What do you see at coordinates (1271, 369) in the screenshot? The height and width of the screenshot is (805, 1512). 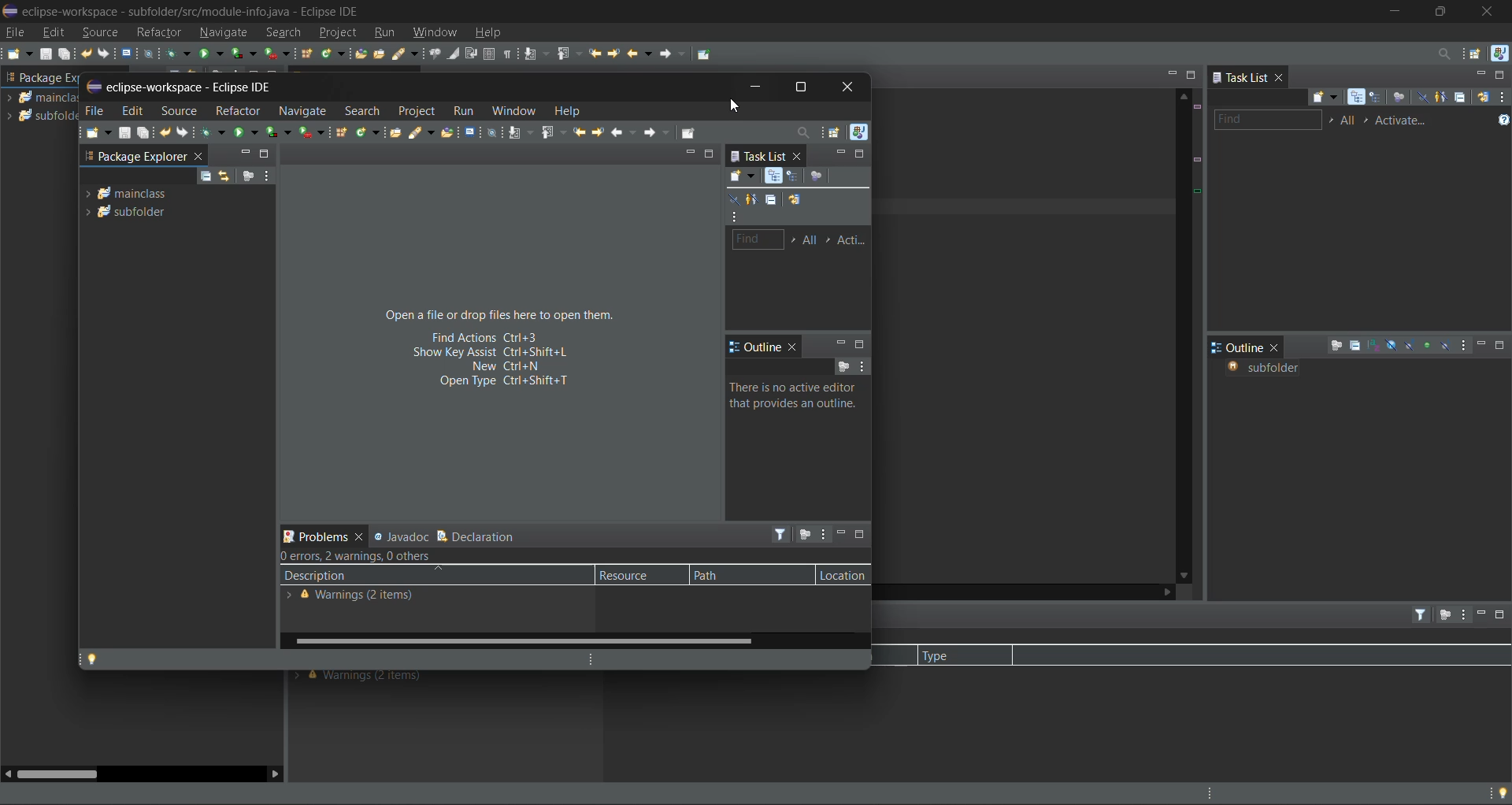 I see `subfolder` at bounding box center [1271, 369].